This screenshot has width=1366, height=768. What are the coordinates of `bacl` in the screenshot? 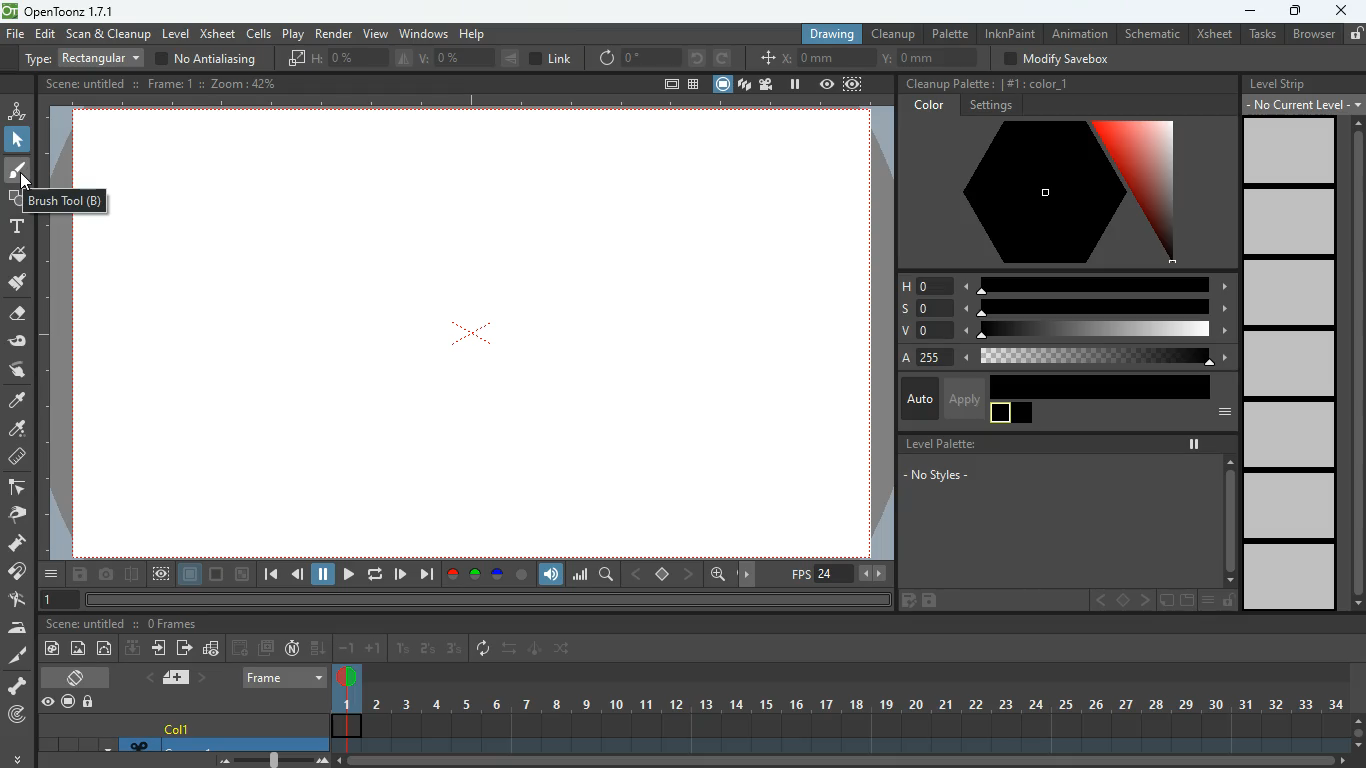 It's located at (697, 58).